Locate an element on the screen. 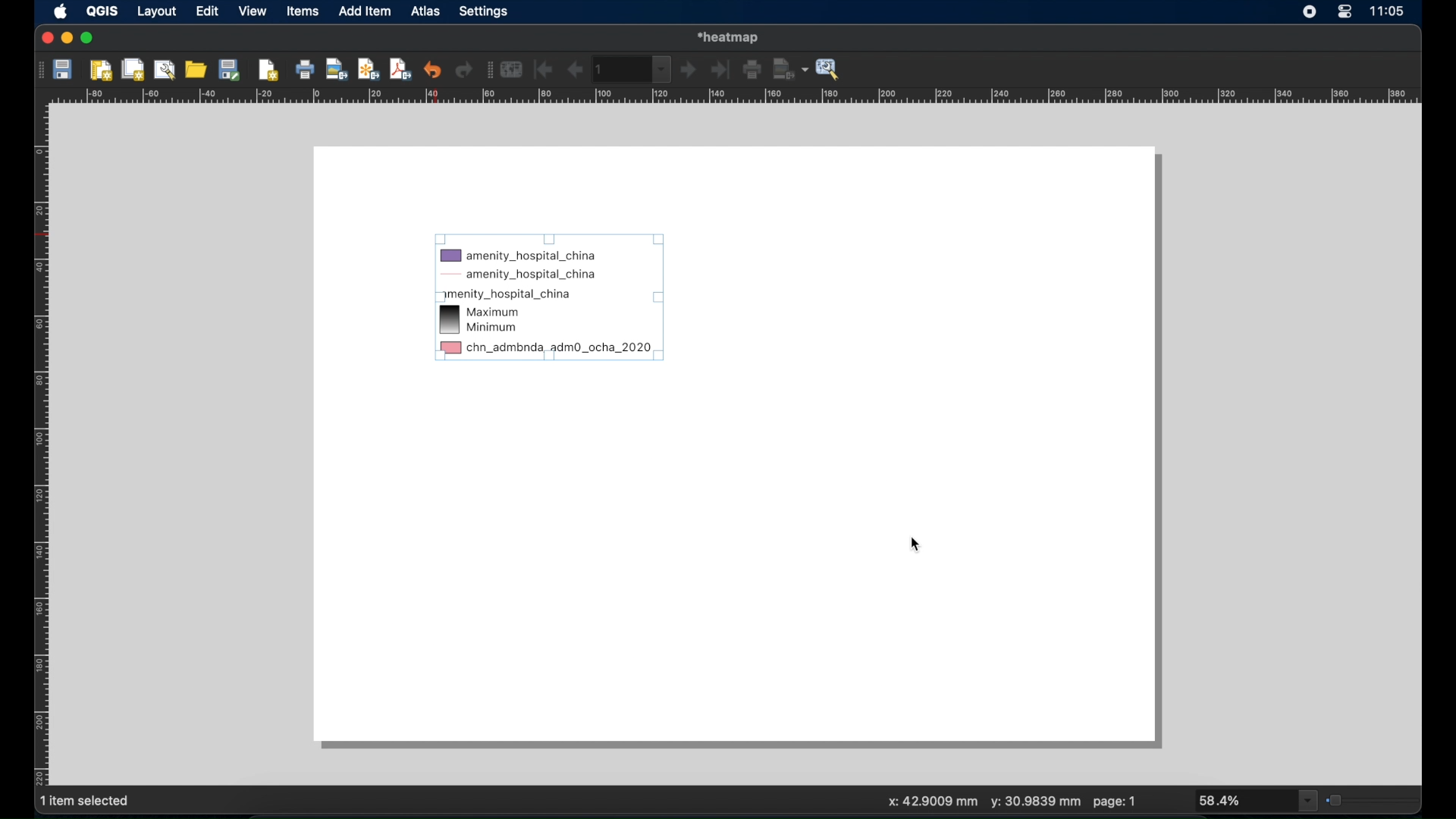  export as svg is located at coordinates (369, 69).